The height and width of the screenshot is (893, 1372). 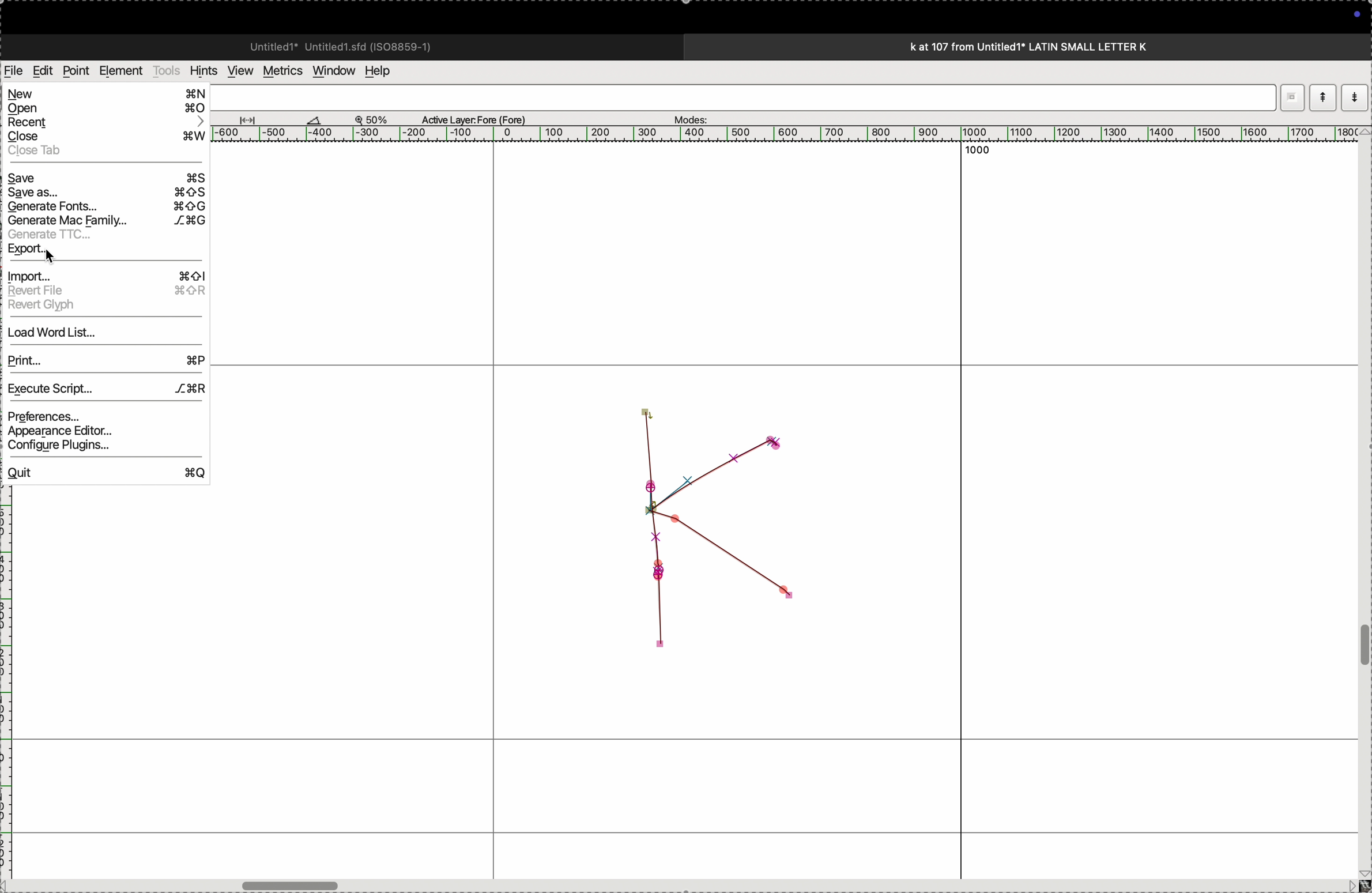 I want to click on untitled std, so click(x=345, y=46).